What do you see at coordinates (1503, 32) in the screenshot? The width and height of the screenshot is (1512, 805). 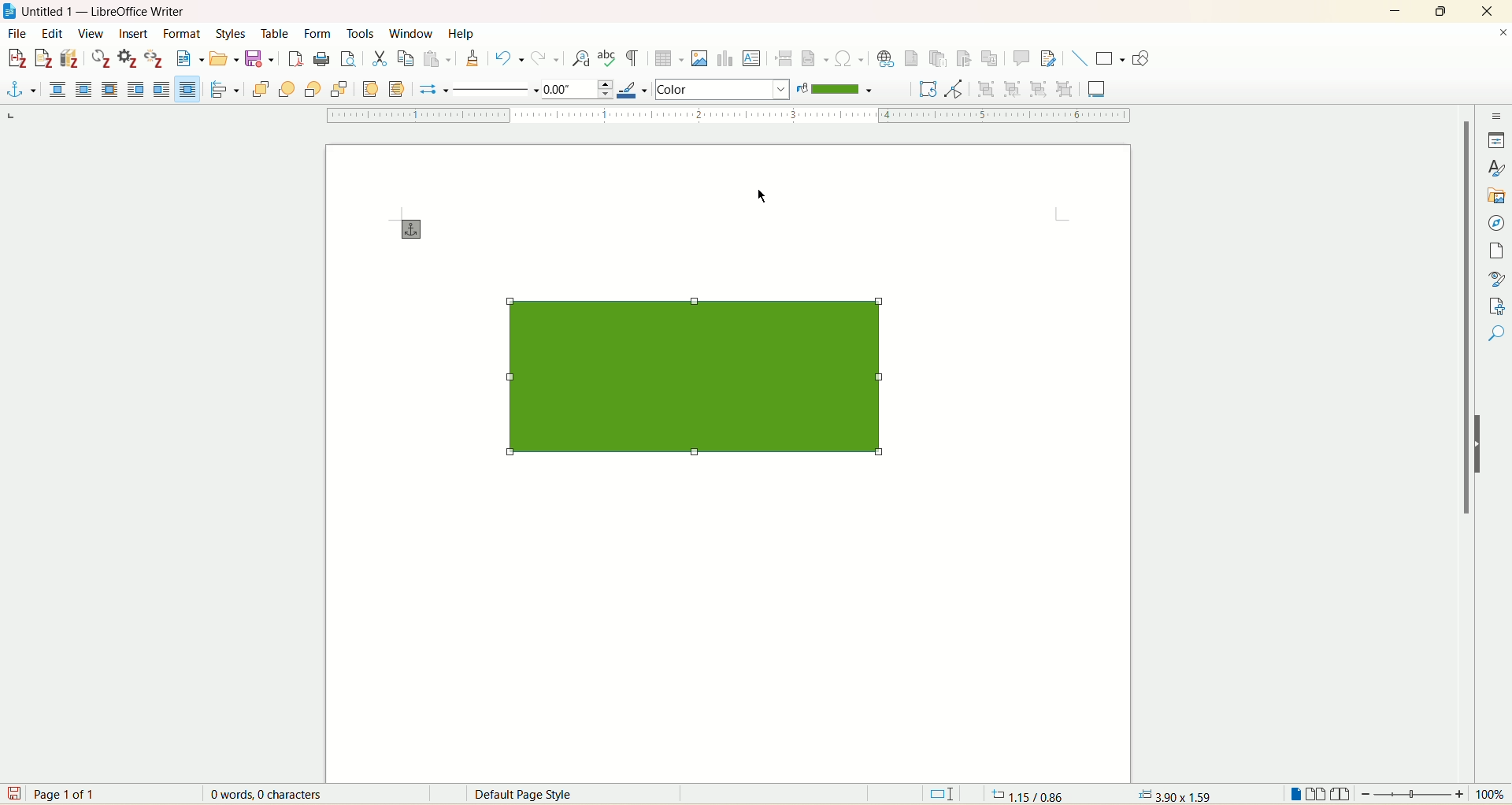 I see `close` at bounding box center [1503, 32].